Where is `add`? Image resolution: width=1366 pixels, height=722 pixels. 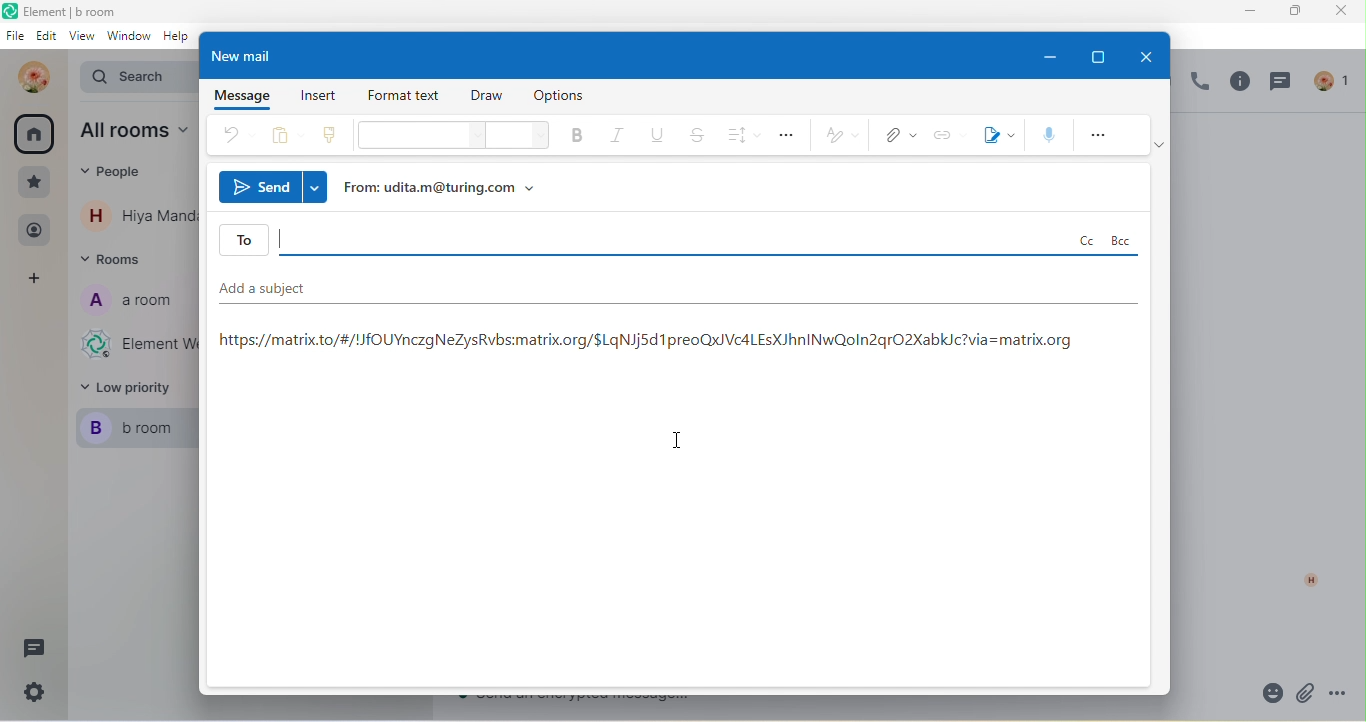
add is located at coordinates (37, 280).